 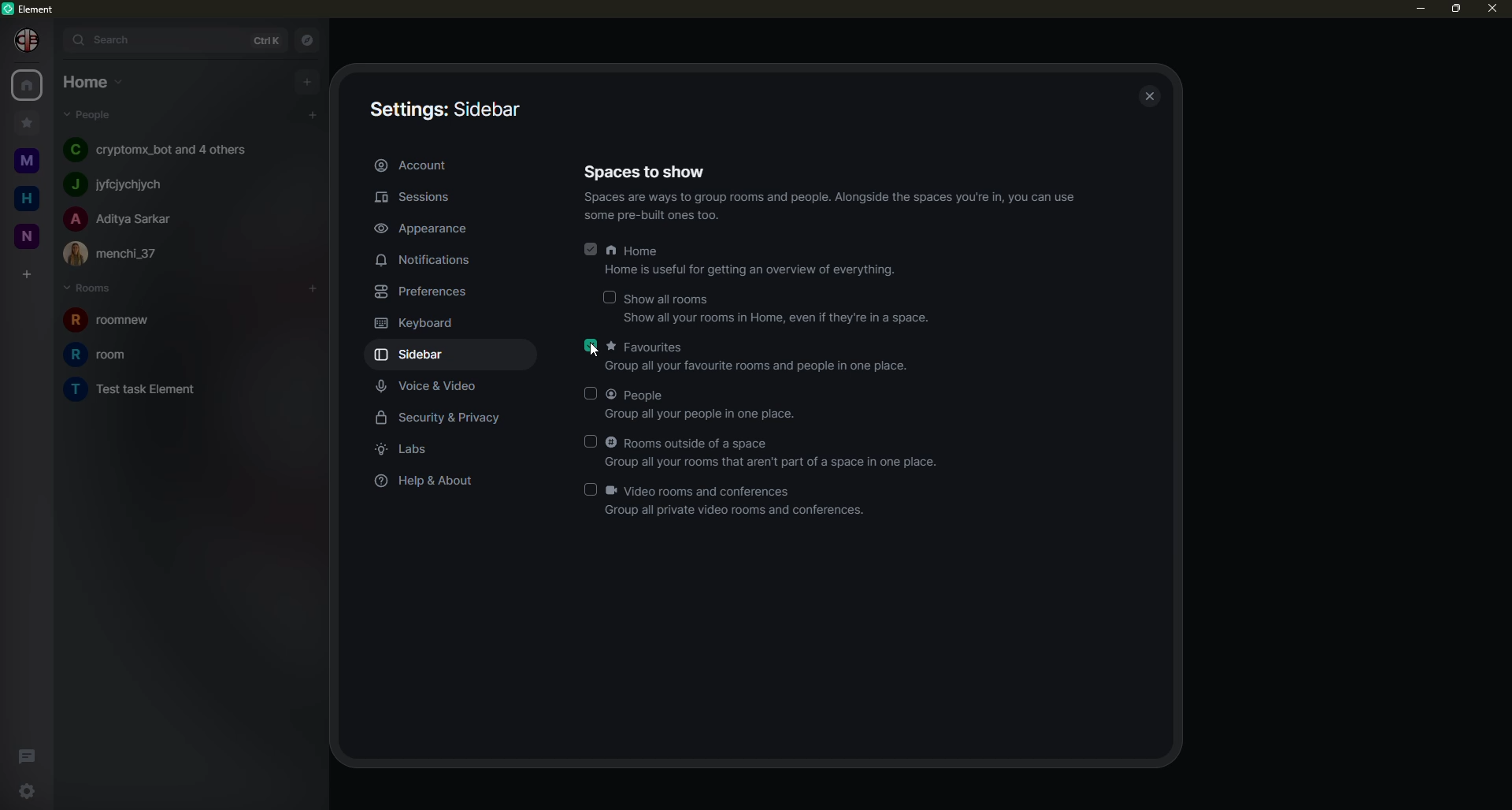 What do you see at coordinates (589, 440) in the screenshot?
I see `click to enable` at bounding box center [589, 440].